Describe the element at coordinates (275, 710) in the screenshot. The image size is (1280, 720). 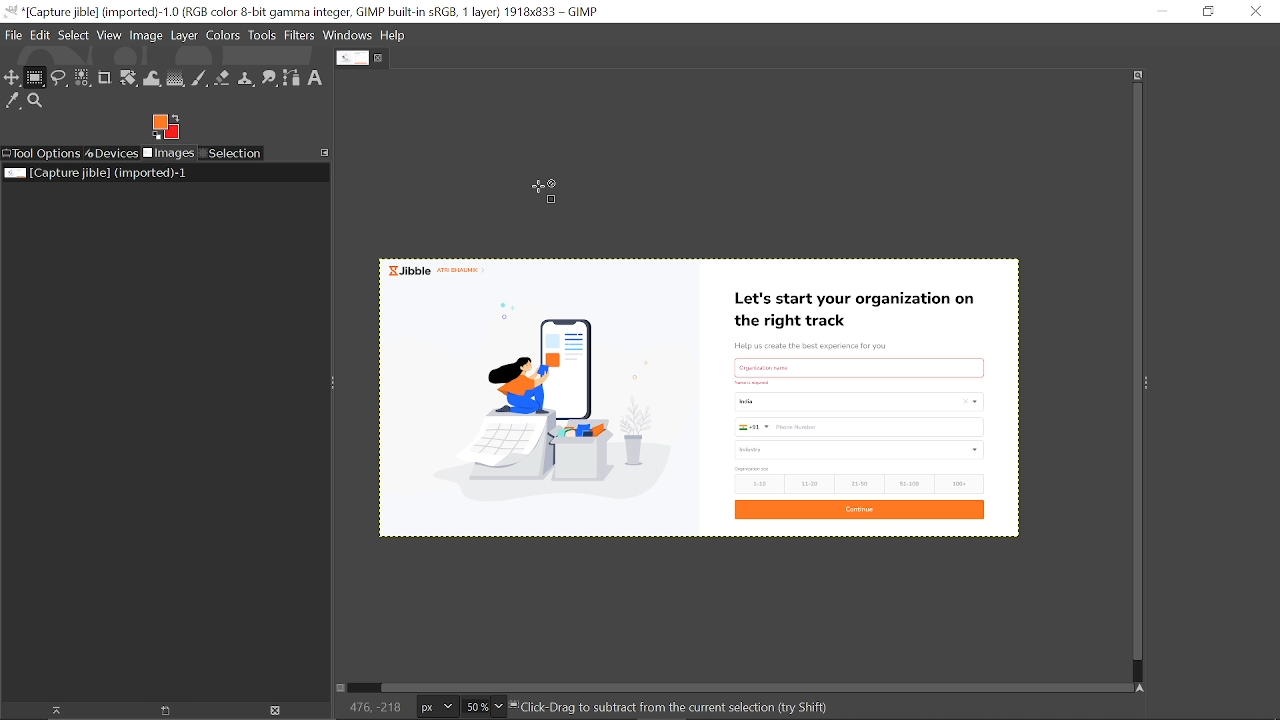
I see `Delete` at that location.